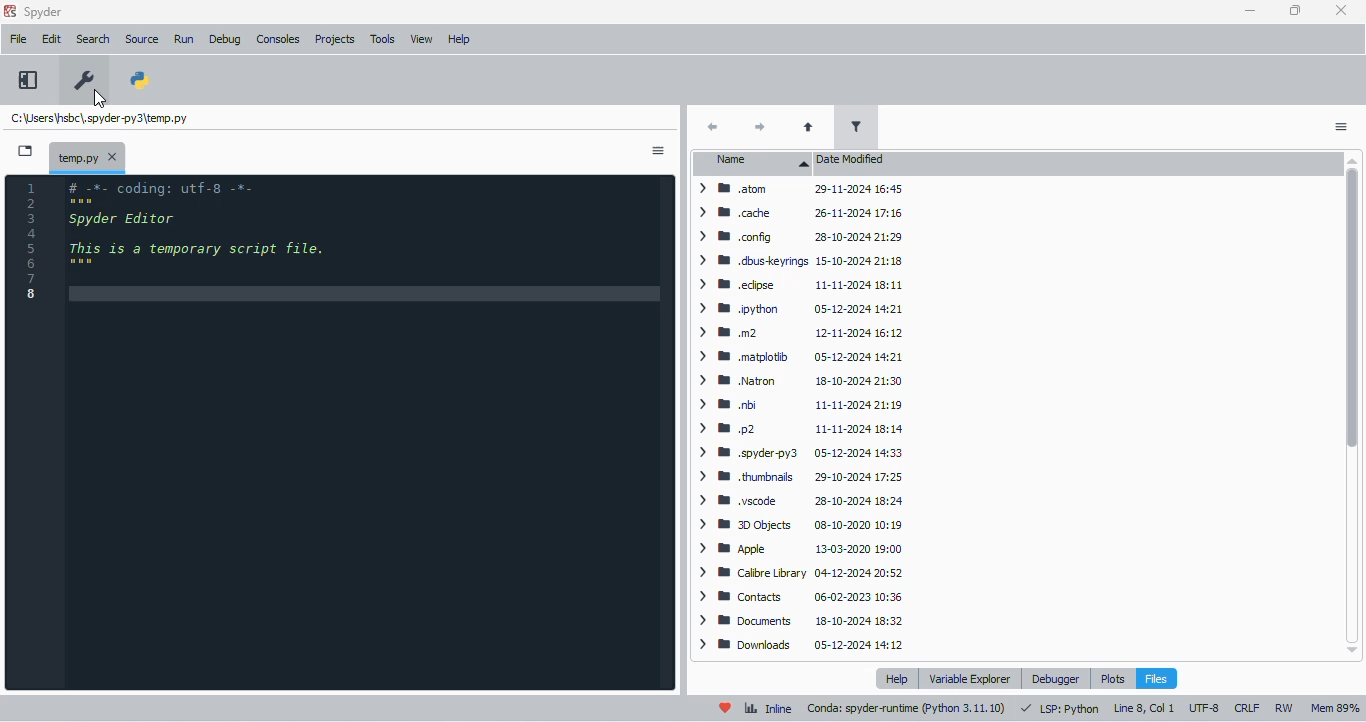 Image resolution: width=1366 pixels, height=722 pixels. What do you see at coordinates (857, 126) in the screenshot?
I see `filter` at bounding box center [857, 126].